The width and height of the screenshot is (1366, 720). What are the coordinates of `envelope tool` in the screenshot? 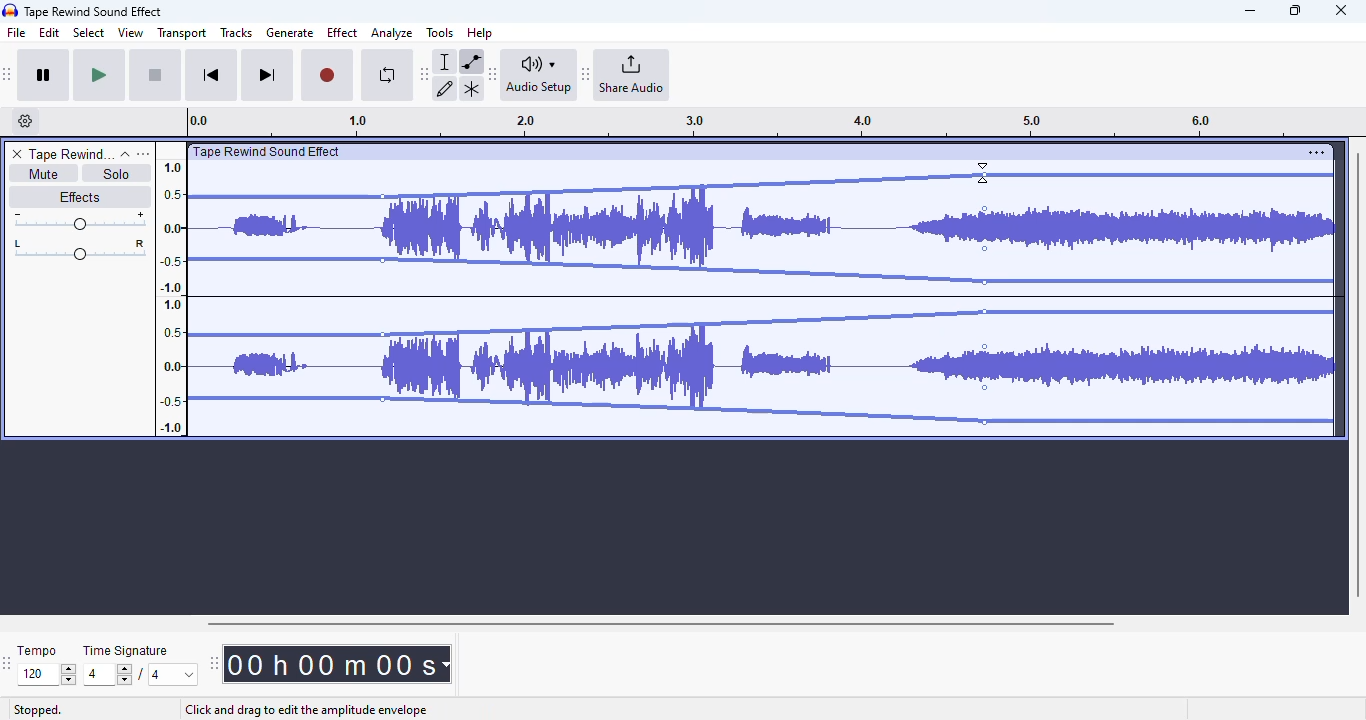 It's located at (471, 61).